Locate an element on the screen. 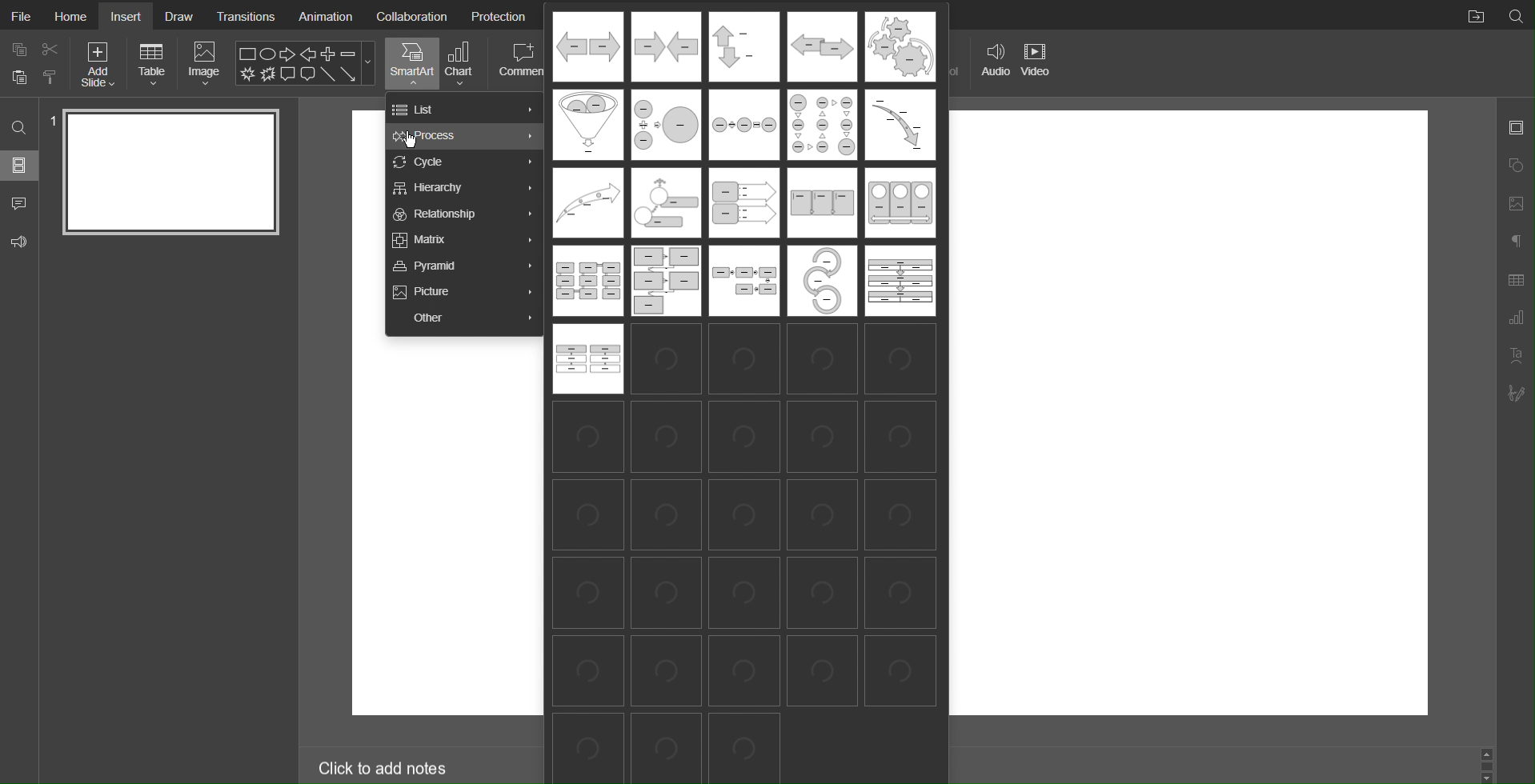 This screenshot has height=784, width=1535. down is located at coordinates (1488, 776).